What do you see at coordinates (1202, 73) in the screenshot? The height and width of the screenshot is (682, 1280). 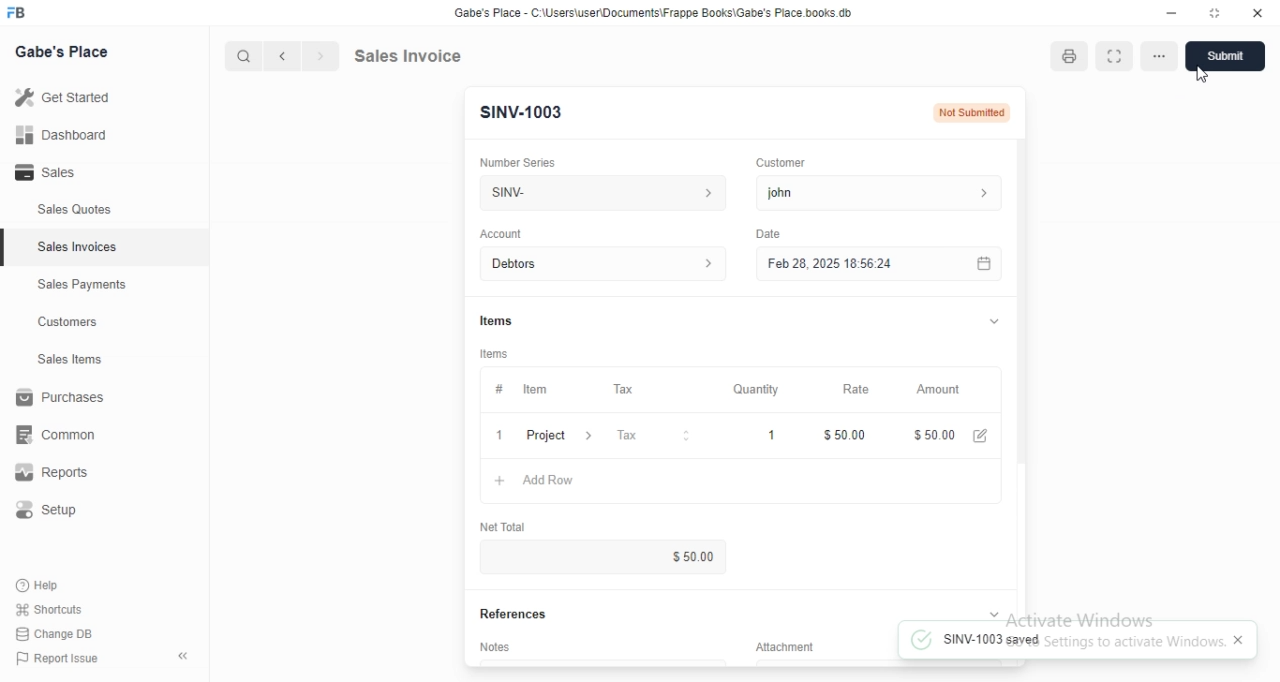 I see `cursor` at bounding box center [1202, 73].